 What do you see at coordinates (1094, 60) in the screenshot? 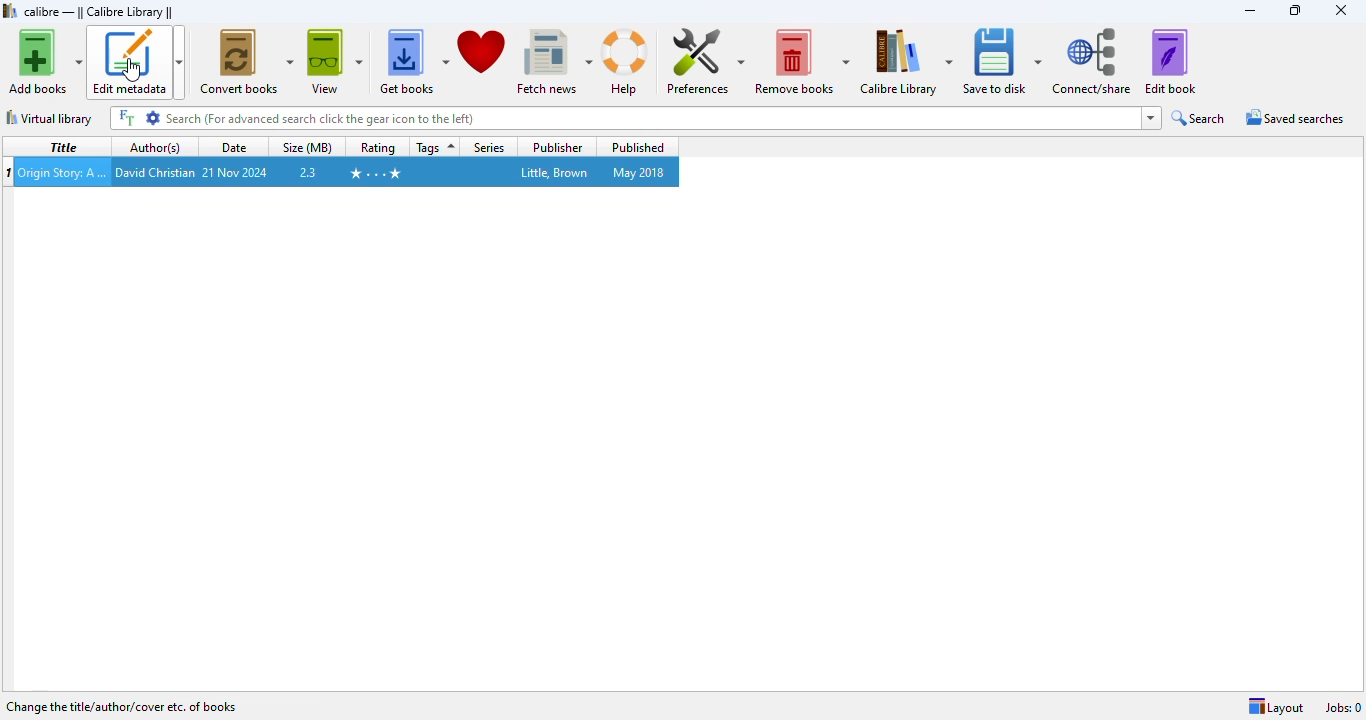
I see `connect/share` at bounding box center [1094, 60].